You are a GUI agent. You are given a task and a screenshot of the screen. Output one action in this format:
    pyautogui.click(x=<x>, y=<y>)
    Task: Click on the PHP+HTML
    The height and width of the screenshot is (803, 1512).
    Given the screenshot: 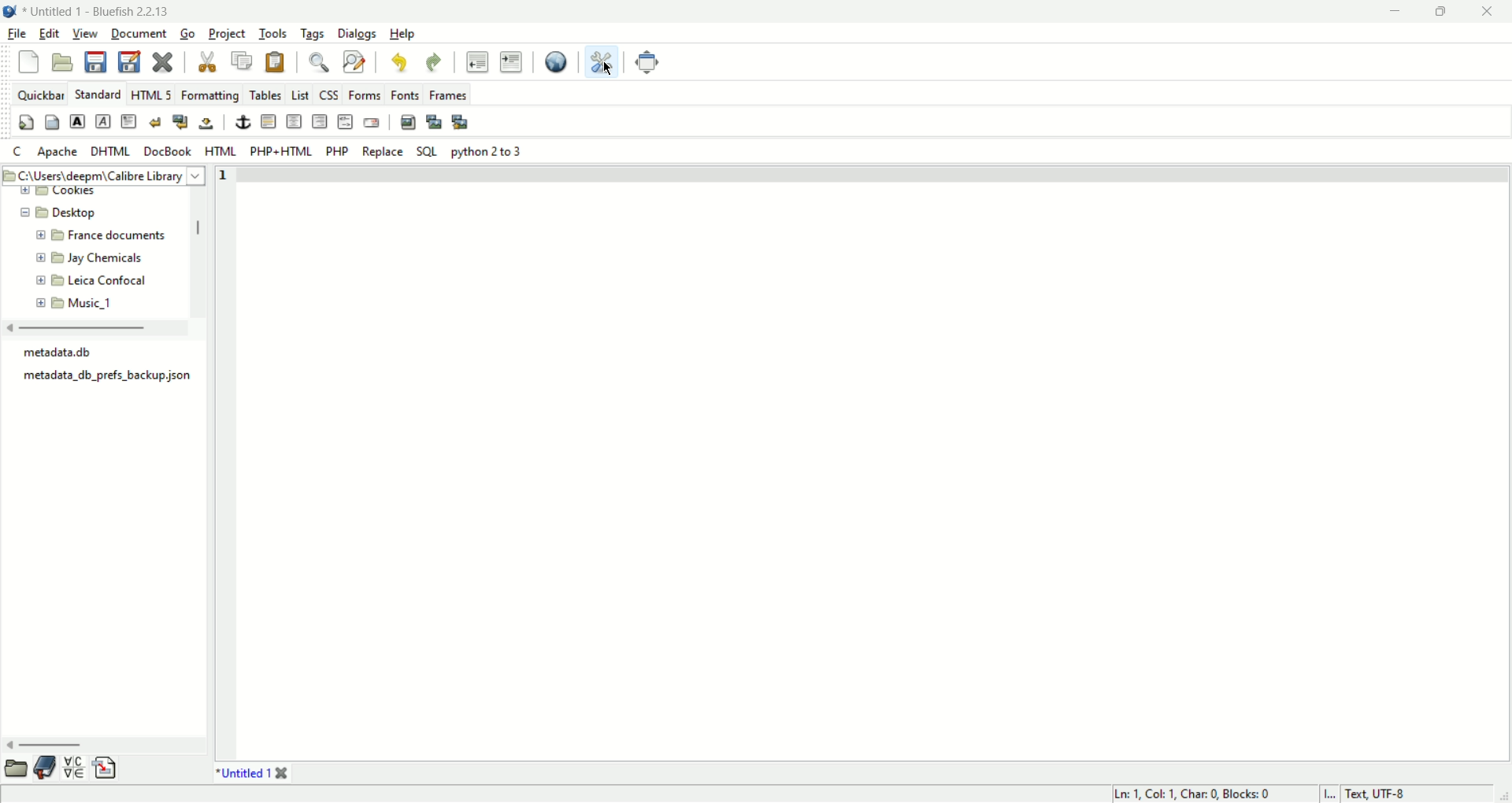 What is the action you would take?
    pyautogui.click(x=281, y=151)
    